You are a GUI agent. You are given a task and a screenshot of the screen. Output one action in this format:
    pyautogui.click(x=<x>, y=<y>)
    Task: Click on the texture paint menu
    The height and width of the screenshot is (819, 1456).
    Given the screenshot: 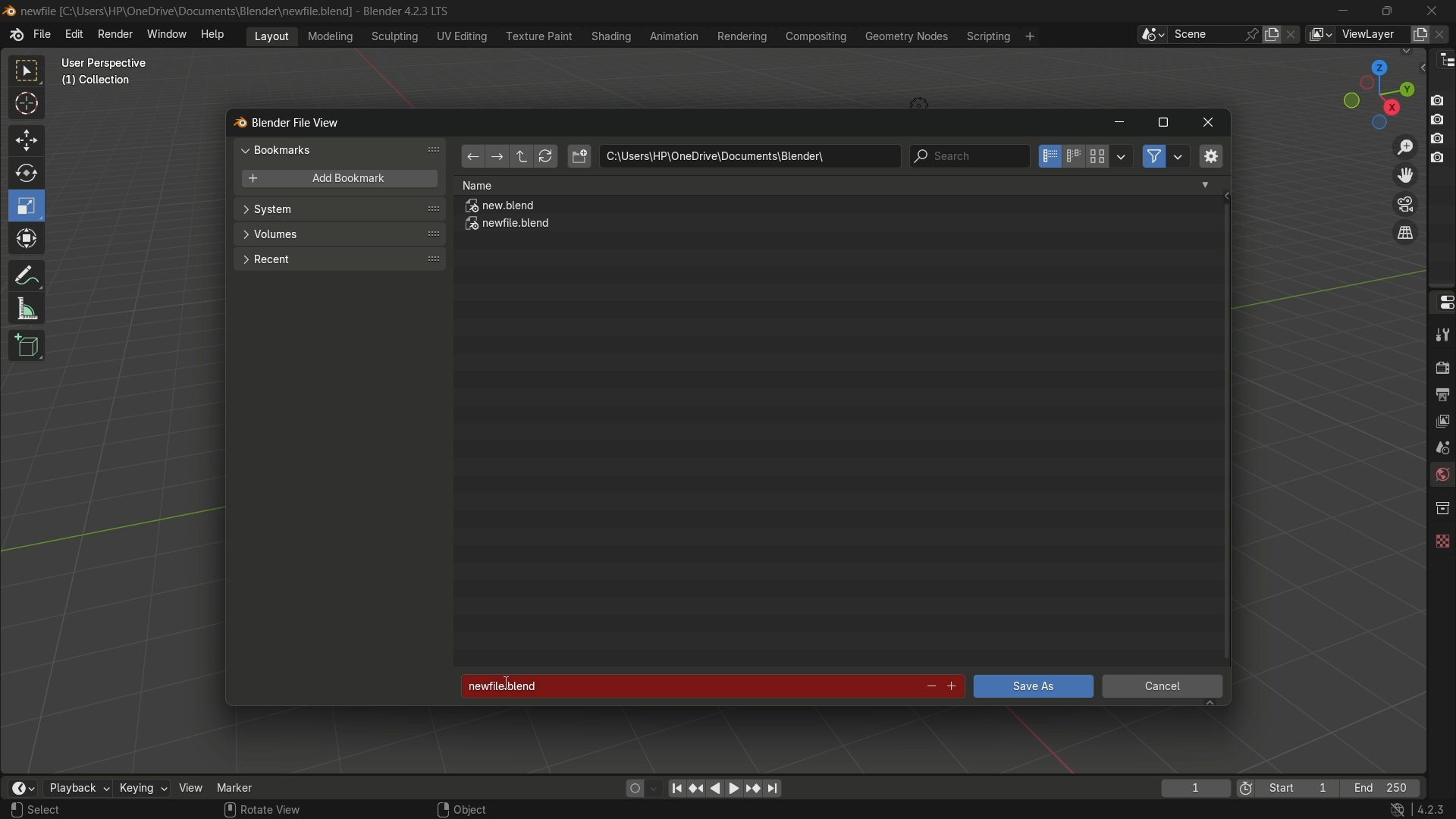 What is the action you would take?
    pyautogui.click(x=538, y=35)
    